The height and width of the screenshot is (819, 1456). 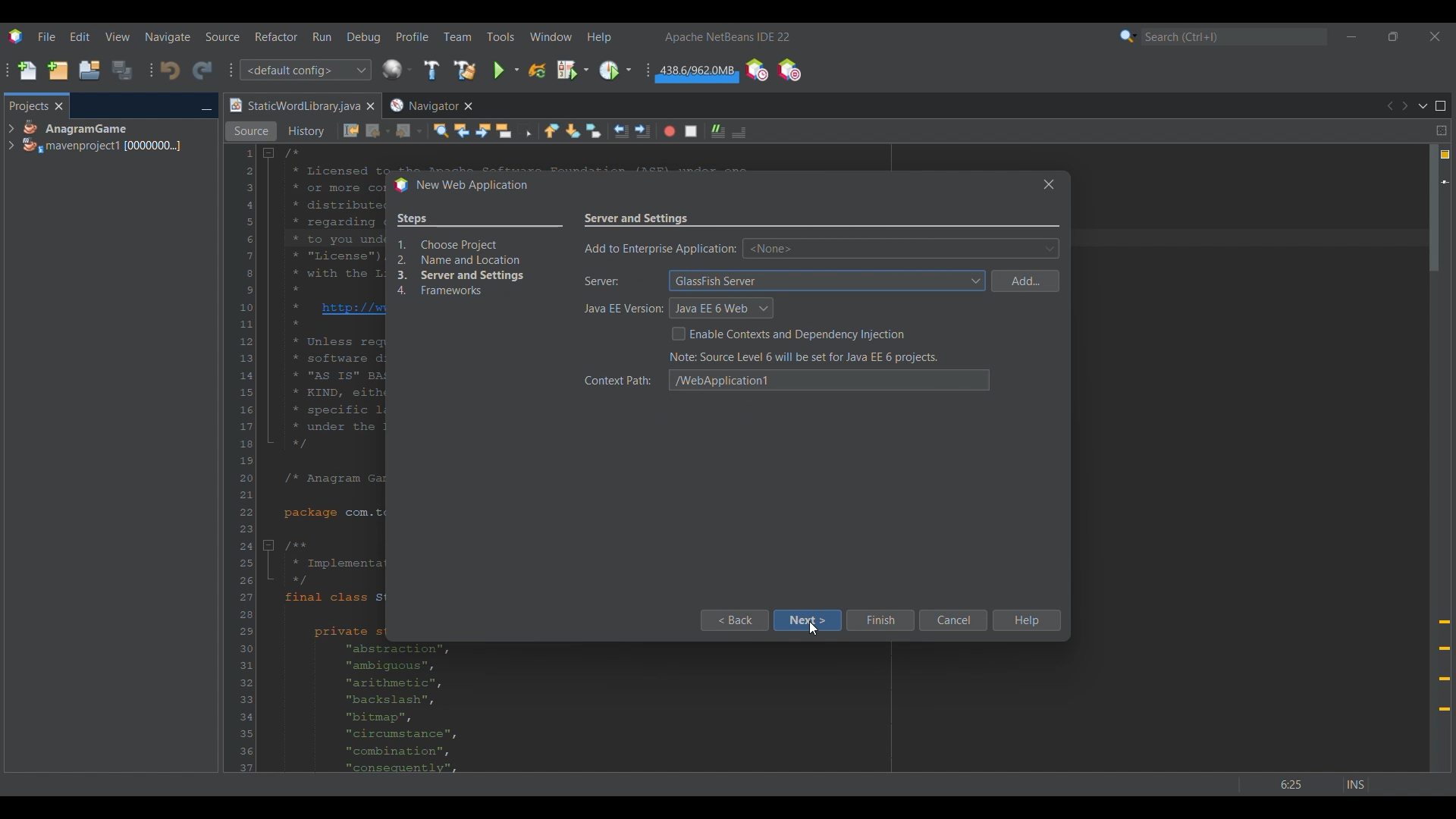 I want to click on Profile menu, so click(x=413, y=36).